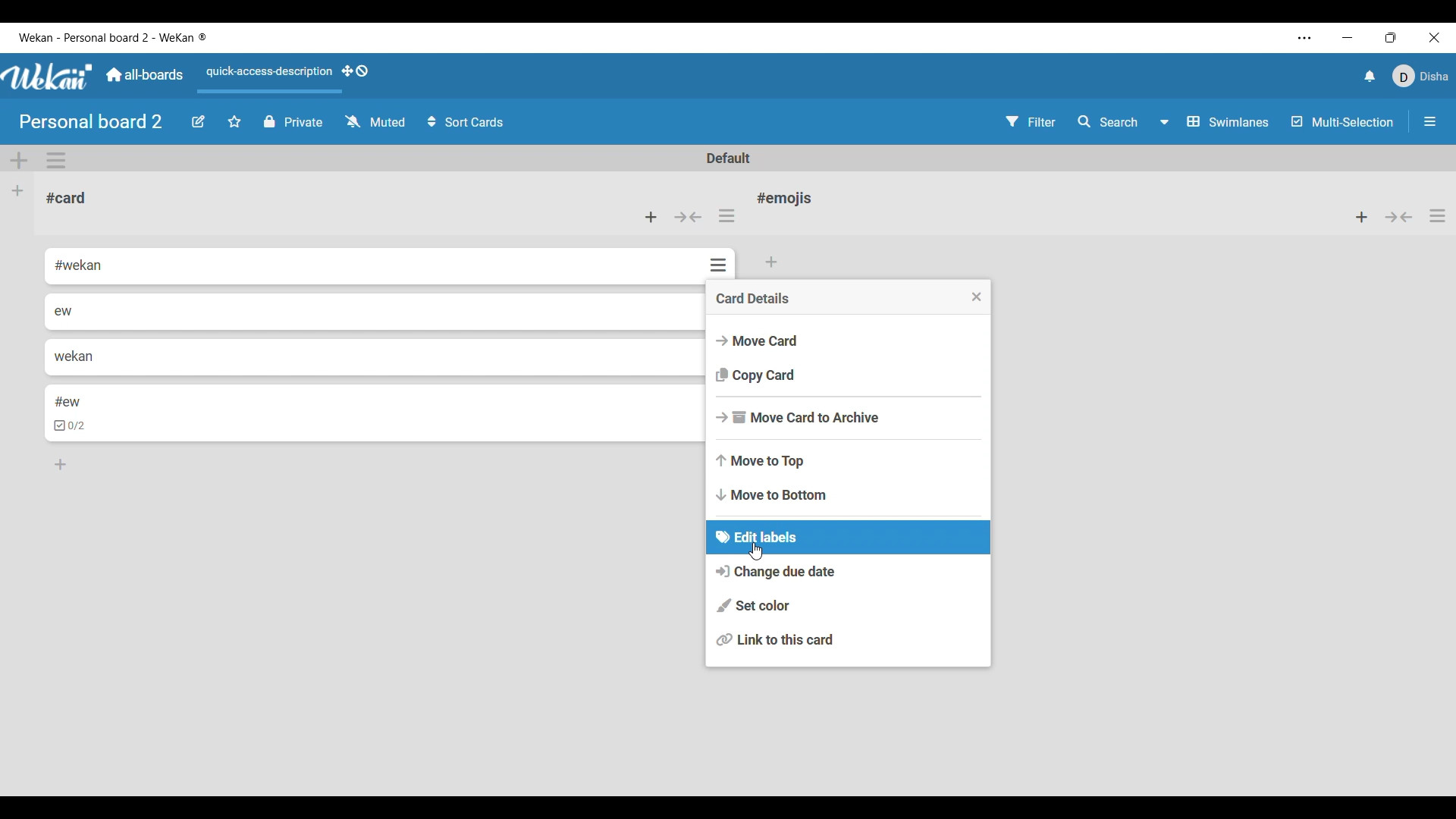  What do you see at coordinates (1305, 38) in the screenshot?
I see `Settings and more` at bounding box center [1305, 38].